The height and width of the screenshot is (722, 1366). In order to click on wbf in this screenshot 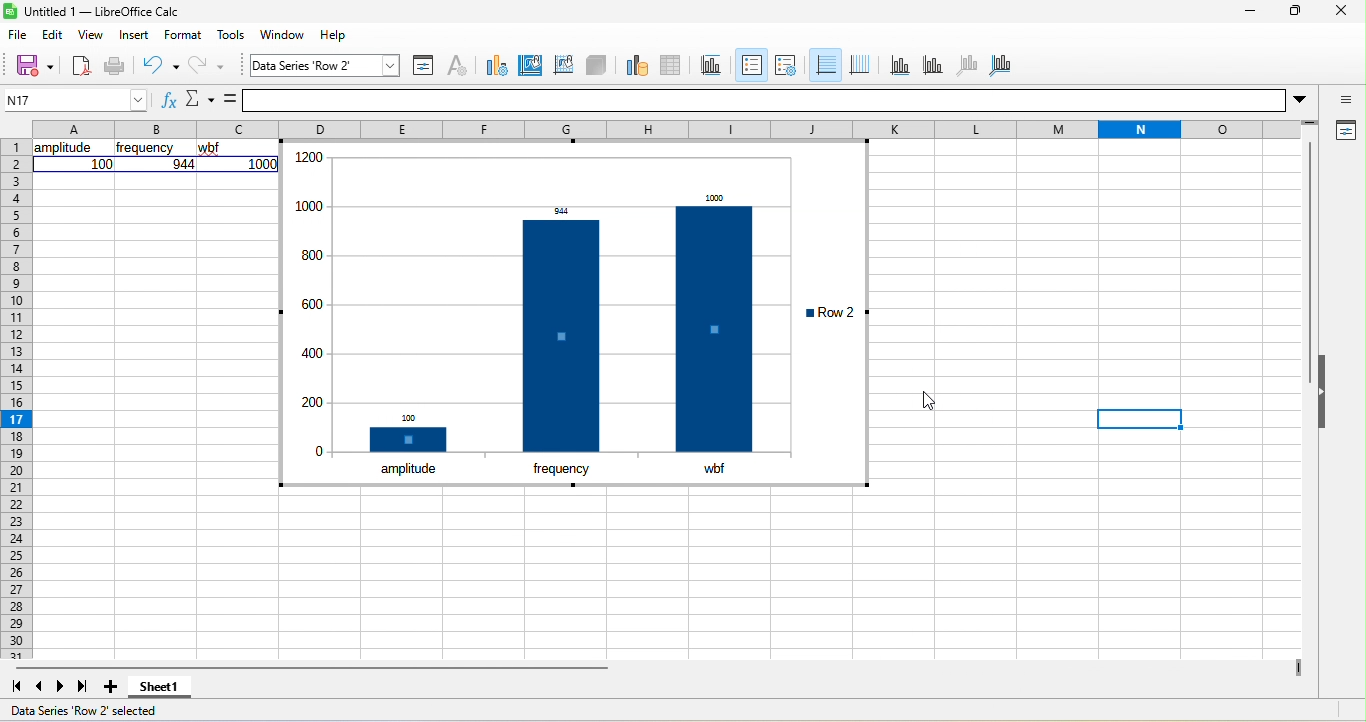, I will do `click(712, 468)`.